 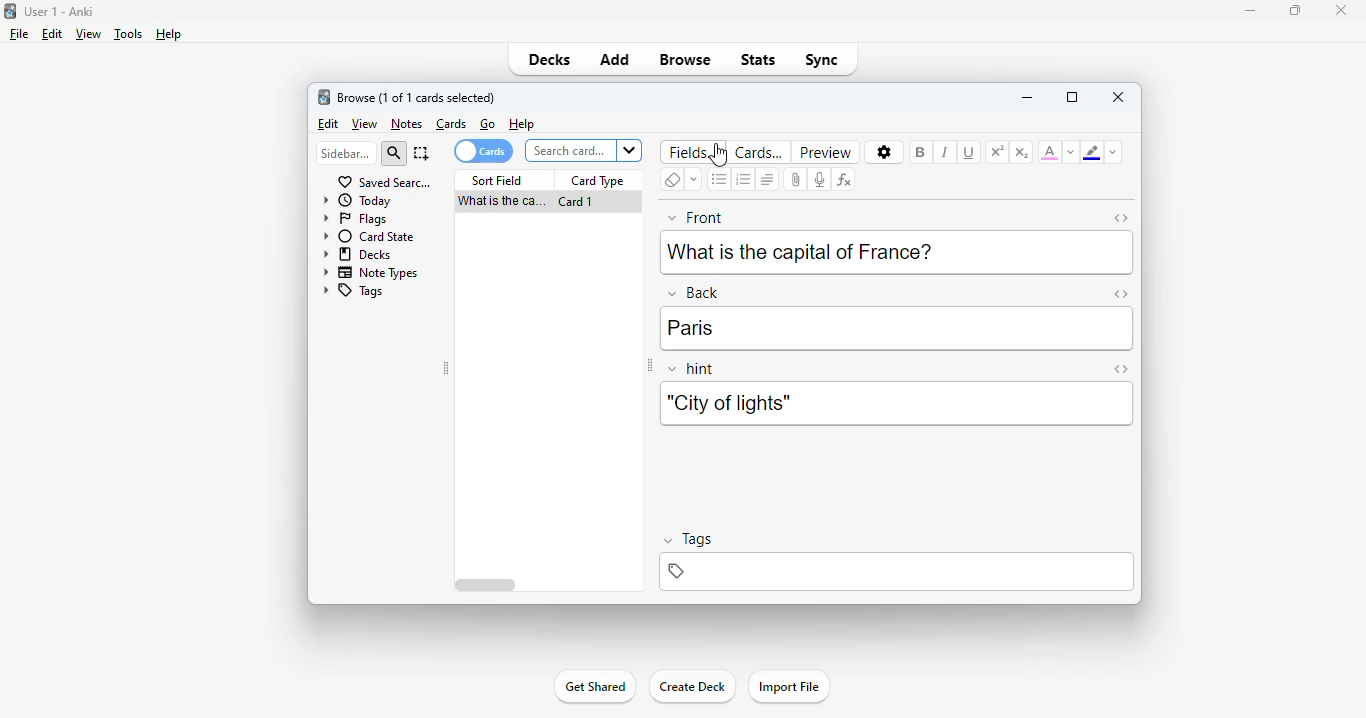 What do you see at coordinates (406, 124) in the screenshot?
I see `notes` at bounding box center [406, 124].